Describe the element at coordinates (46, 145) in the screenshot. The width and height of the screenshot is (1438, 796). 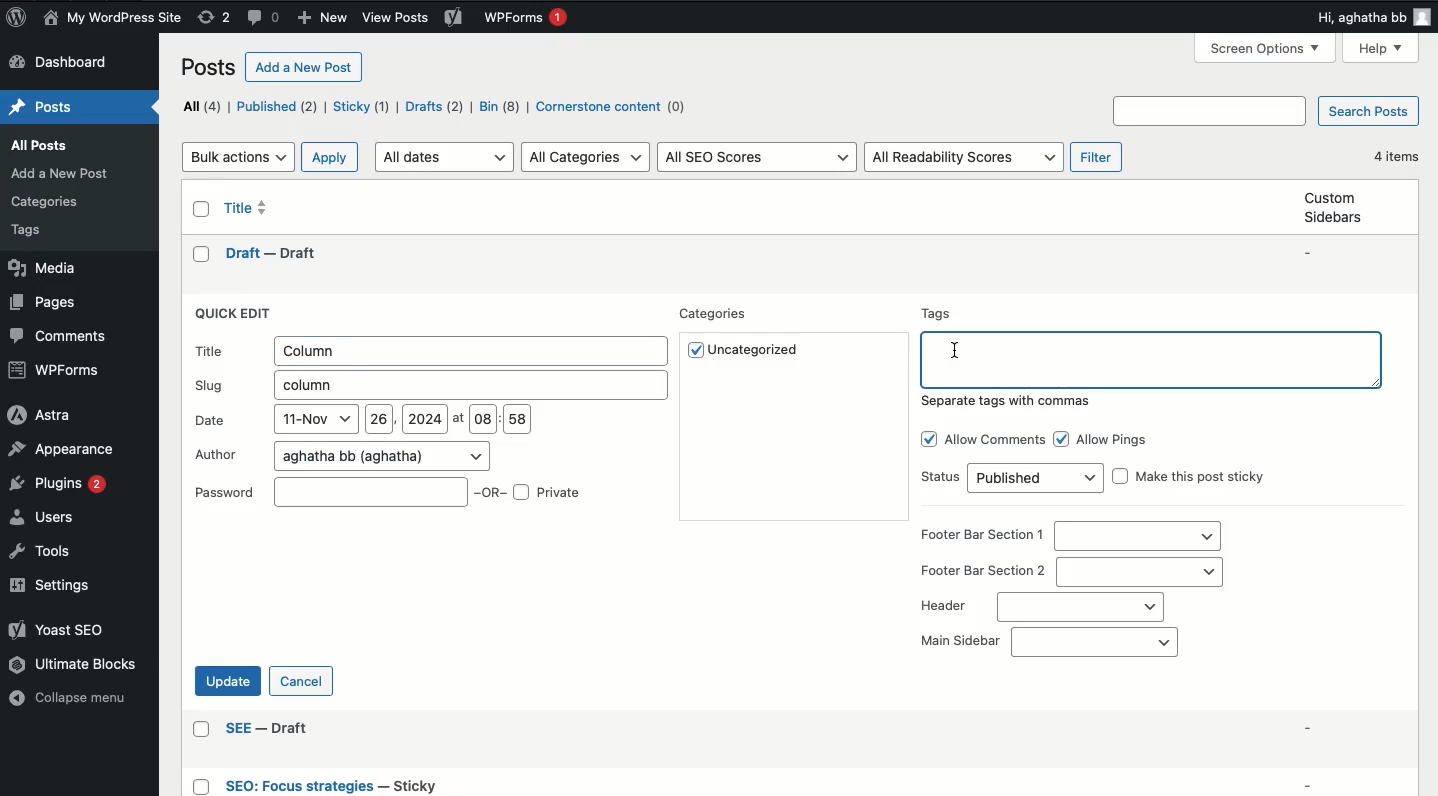
I see `Posts` at that location.